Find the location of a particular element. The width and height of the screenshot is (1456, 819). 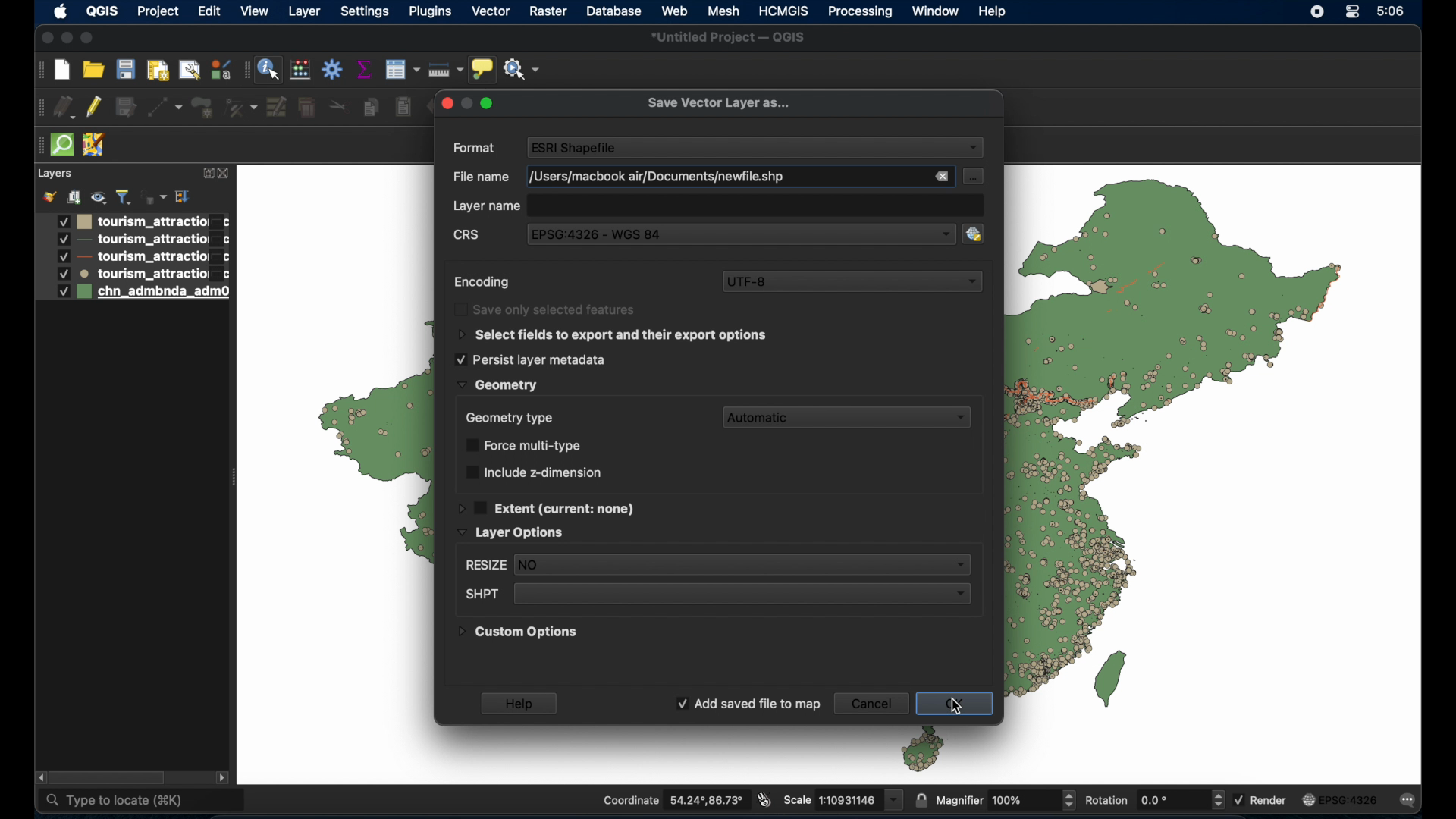

open field calculator is located at coordinates (300, 69).